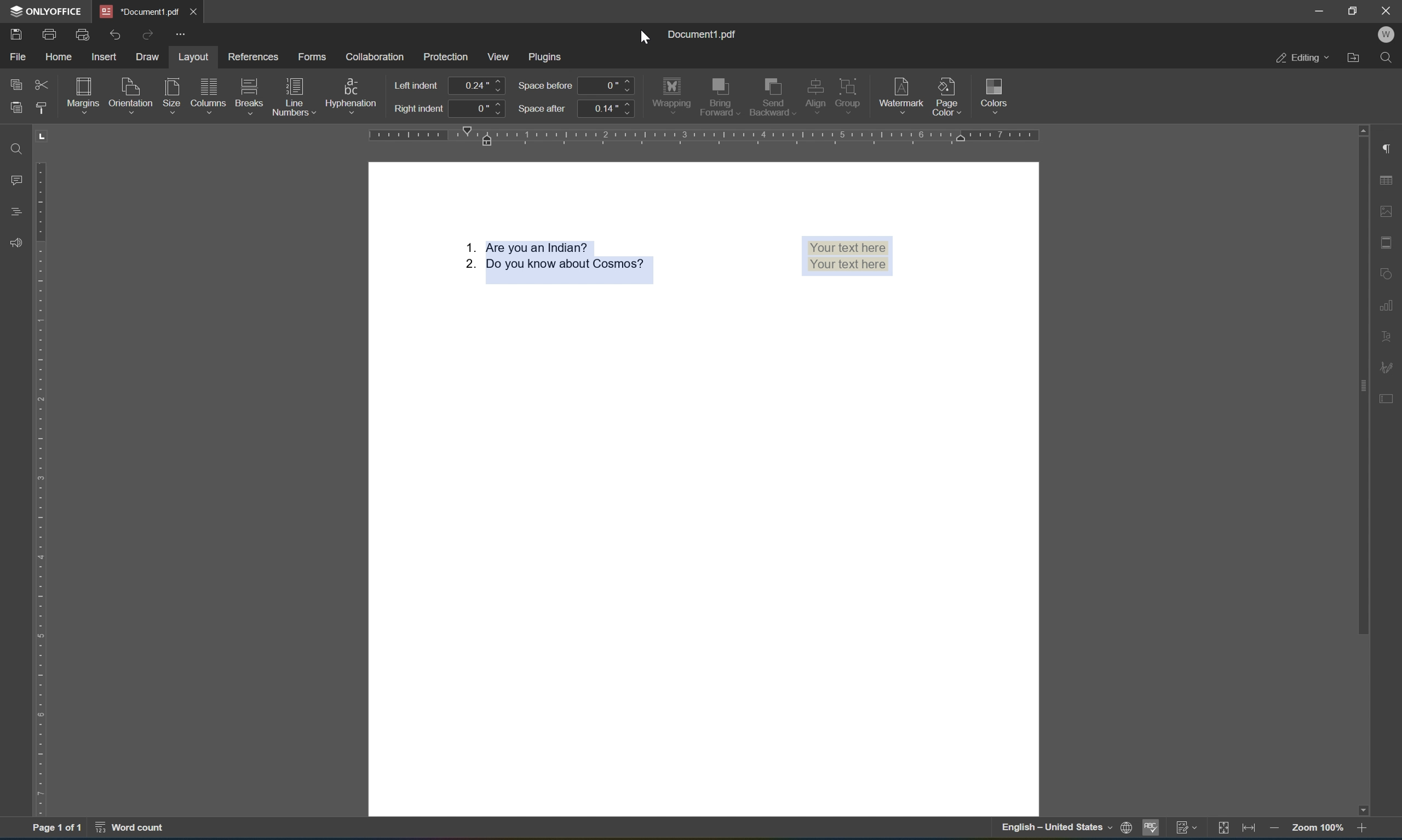  What do you see at coordinates (548, 55) in the screenshot?
I see `plugins` at bounding box center [548, 55].